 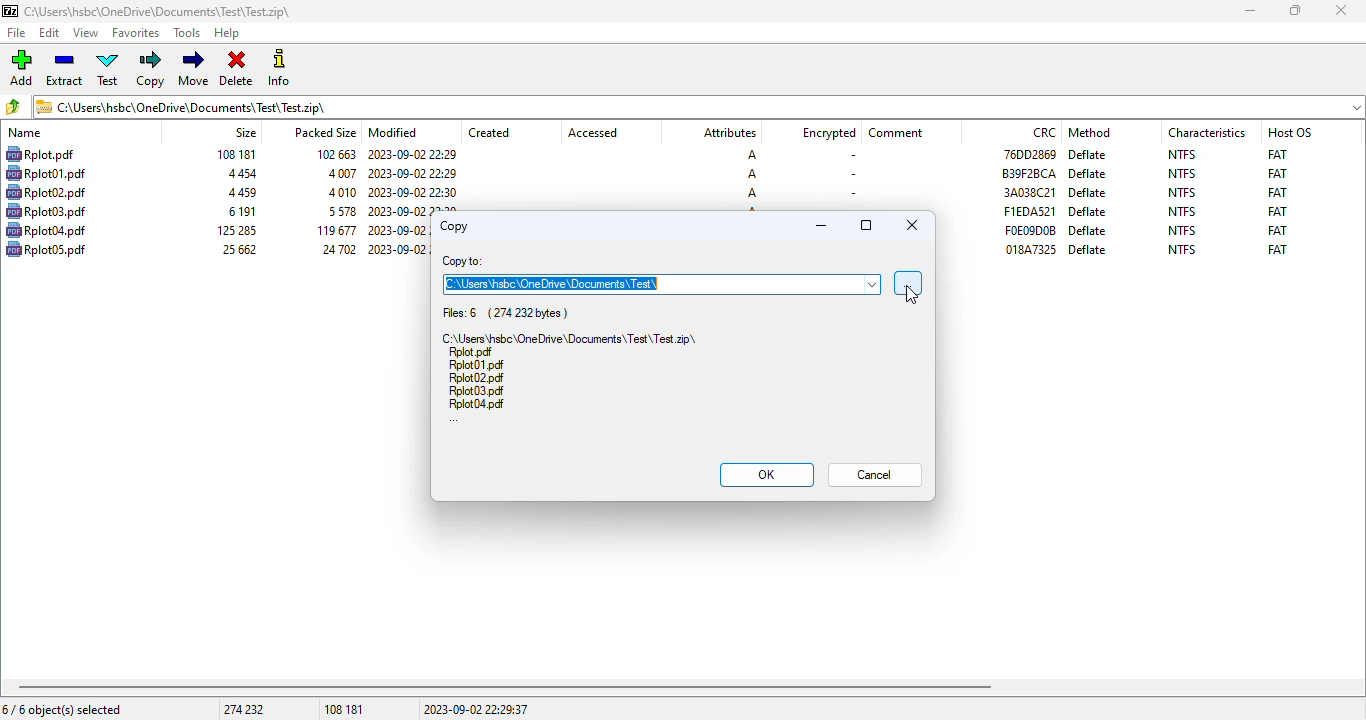 I want to click on 6/6 object(s) selected, so click(x=62, y=709).